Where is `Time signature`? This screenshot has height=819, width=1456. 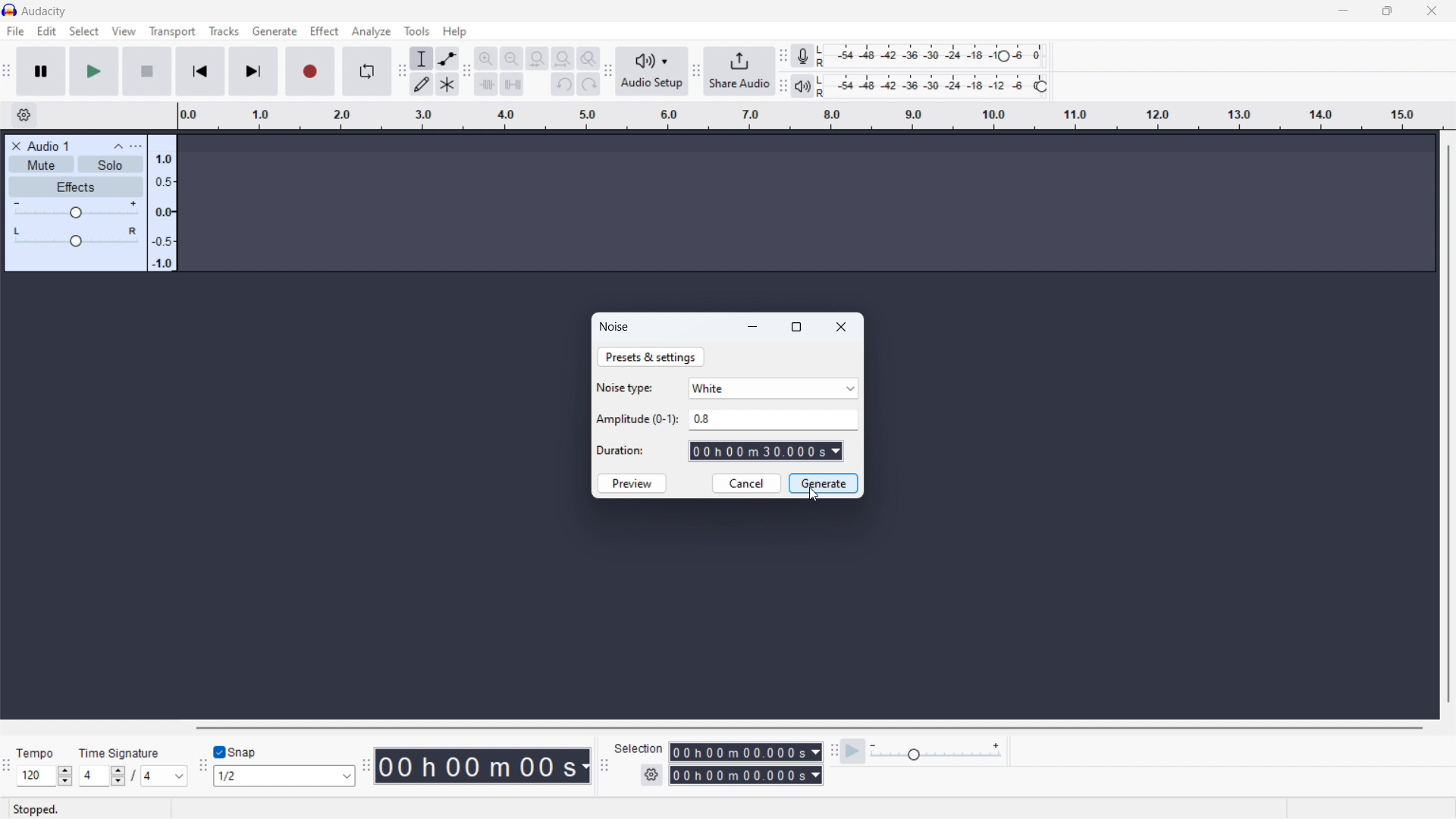
Time signature is located at coordinates (121, 753).